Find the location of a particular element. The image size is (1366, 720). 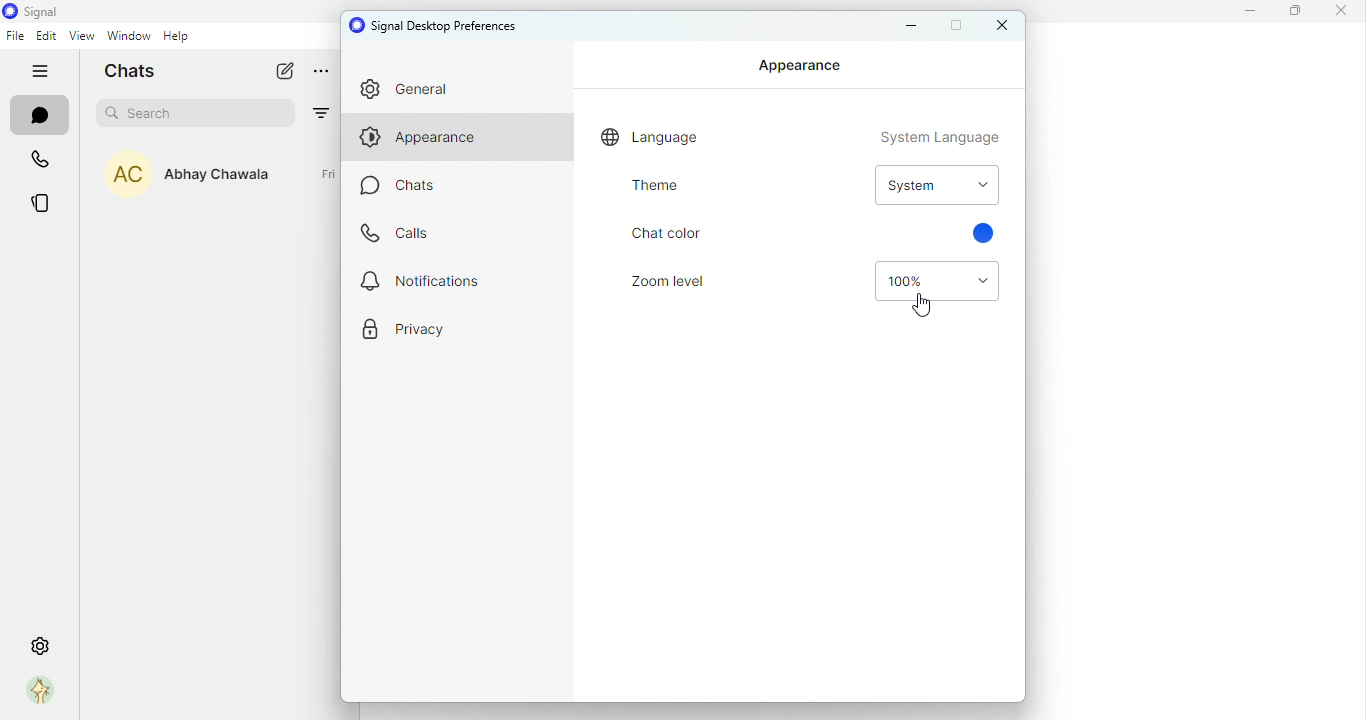

Cursor is located at coordinates (921, 308).